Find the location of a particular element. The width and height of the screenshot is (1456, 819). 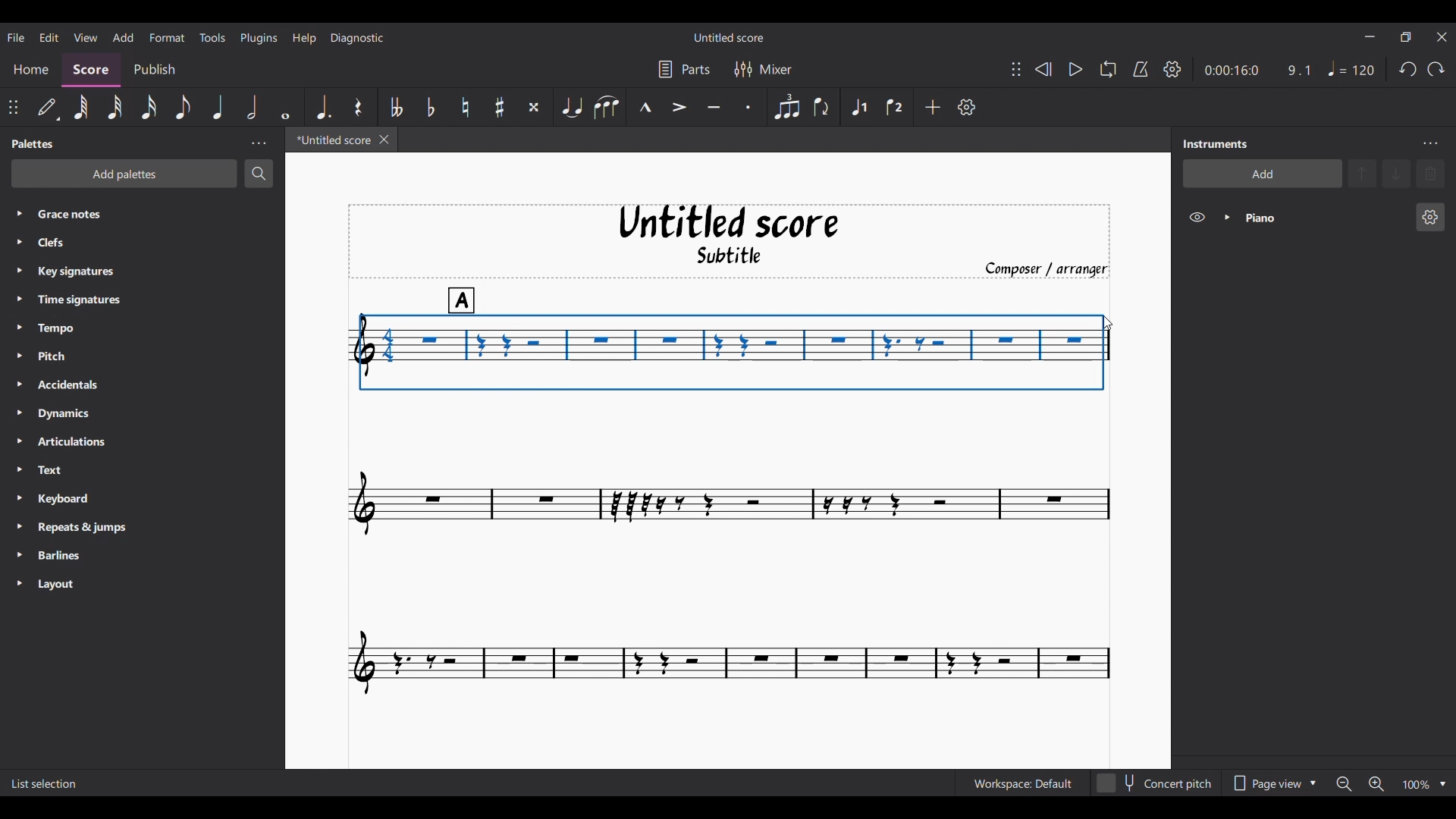

Loop playback is located at coordinates (1108, 69).